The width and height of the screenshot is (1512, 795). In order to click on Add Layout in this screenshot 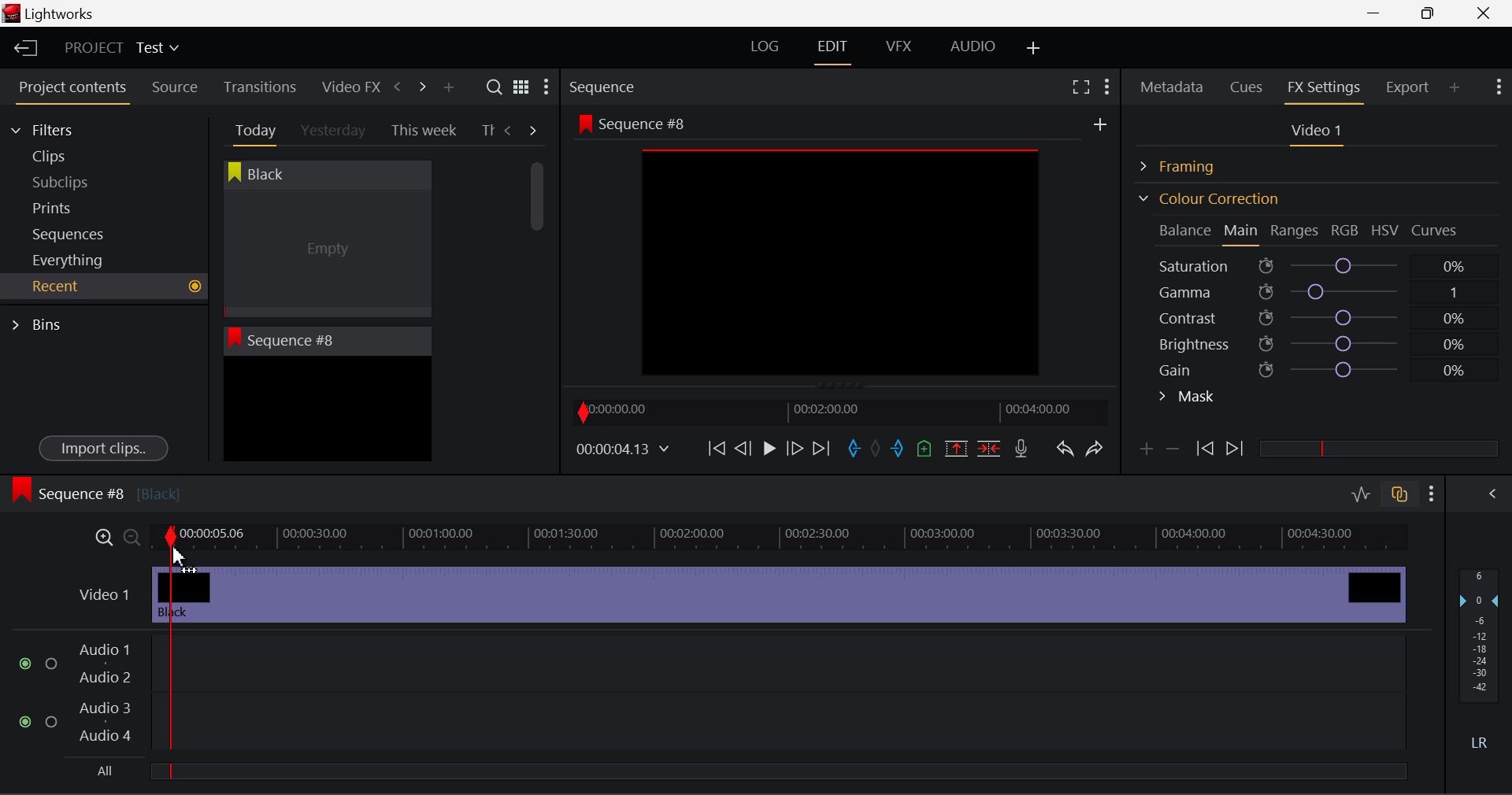, I will do `click(1034, 49)`.